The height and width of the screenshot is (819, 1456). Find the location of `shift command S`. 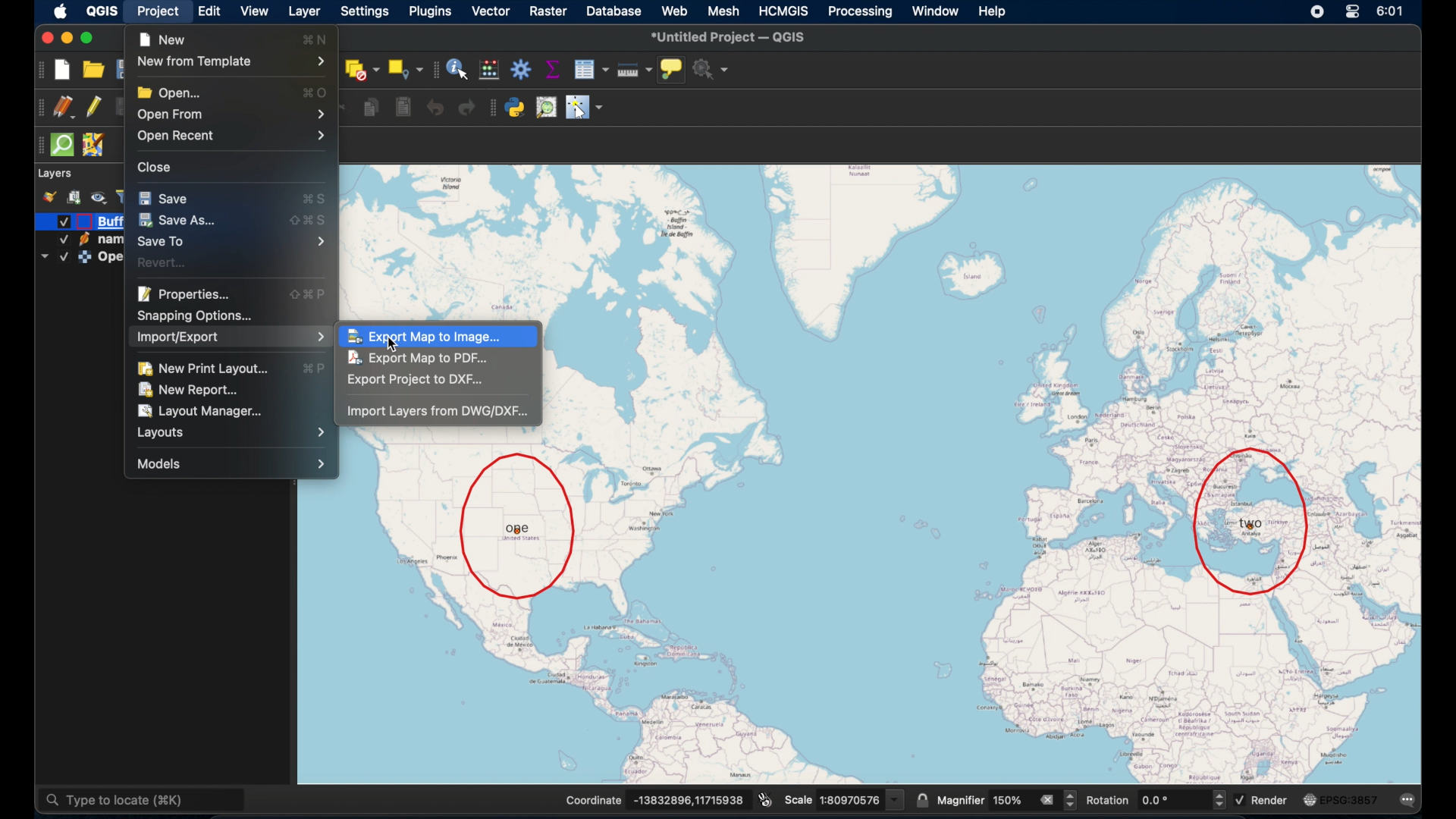

shift command S is located at coordinates (308, 220).